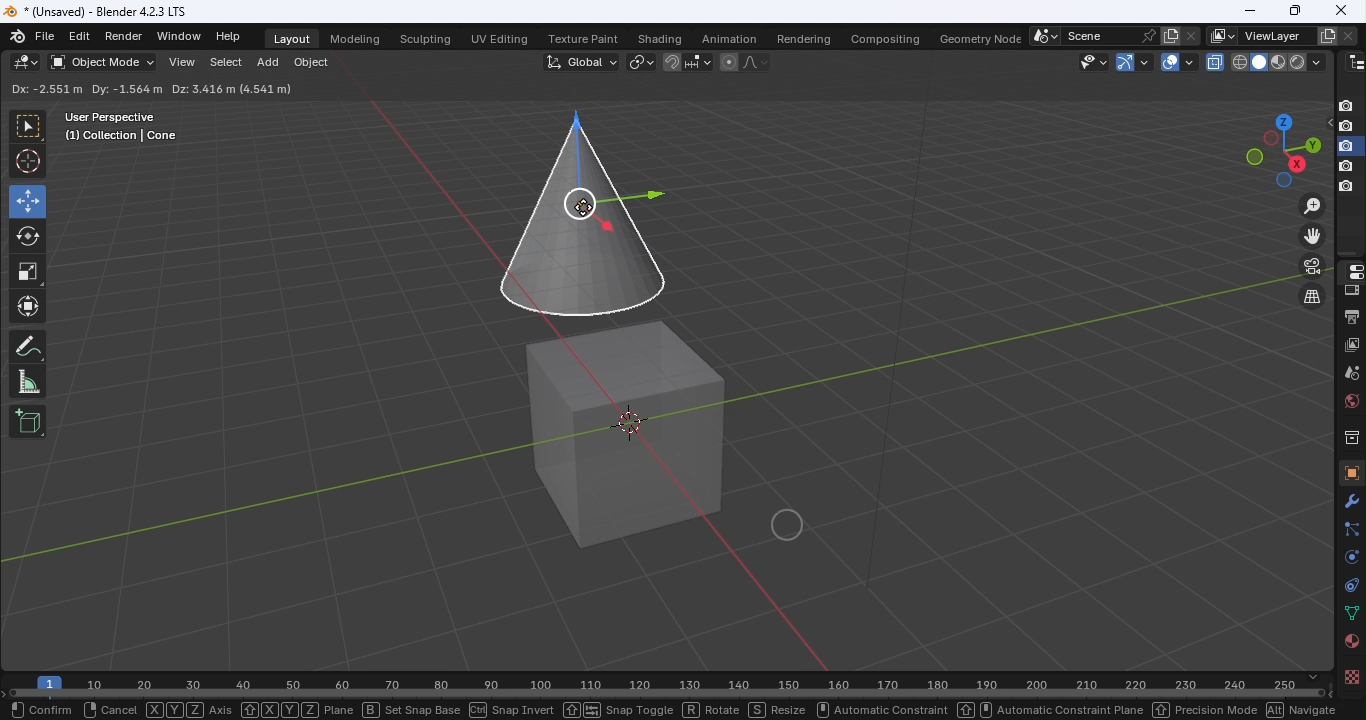  Describe the element at coordinates (29, 272) in the screenshot. I see `Scale` at that location.